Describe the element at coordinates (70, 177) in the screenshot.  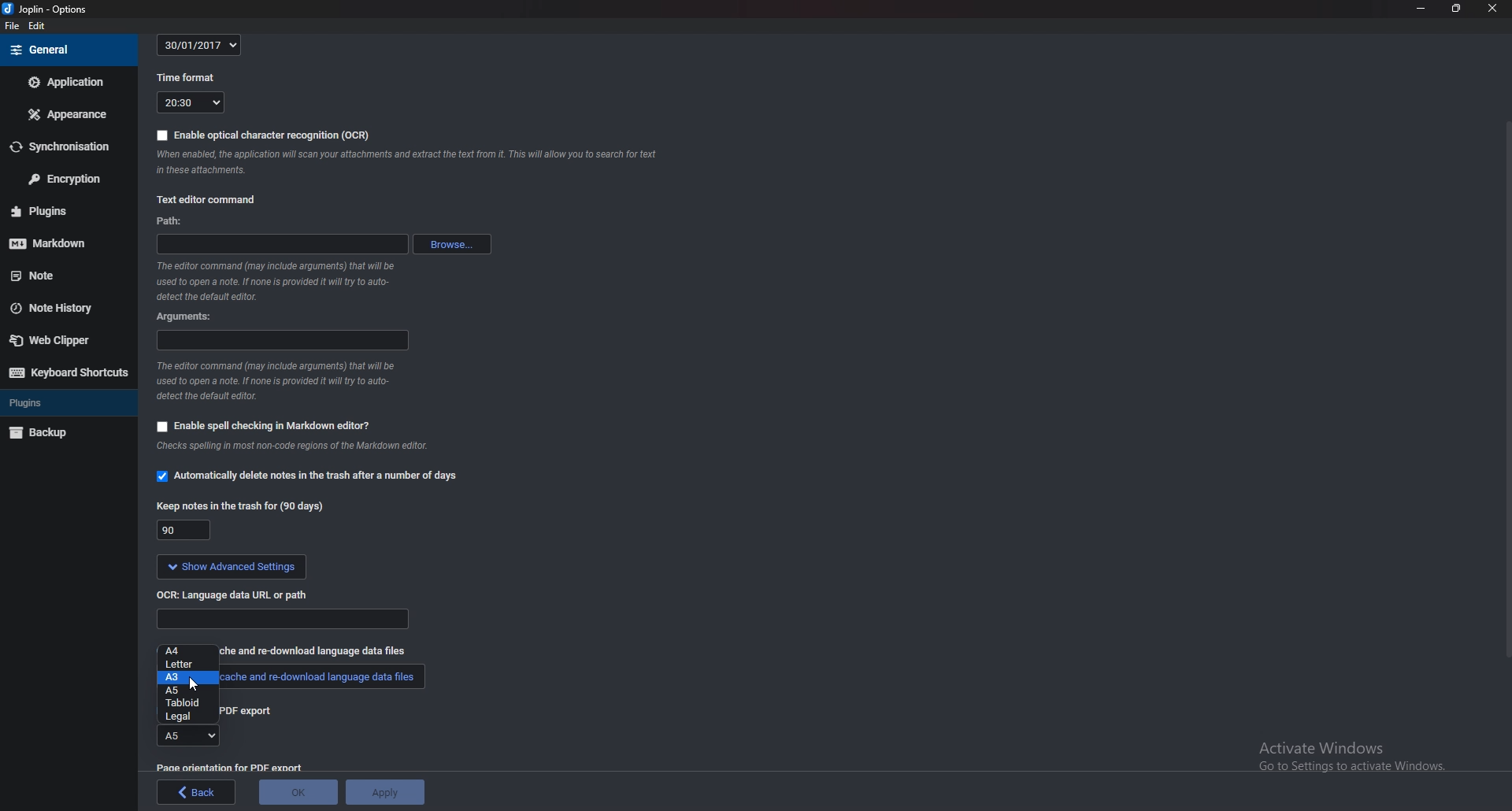
I see `Encryption` at that location.